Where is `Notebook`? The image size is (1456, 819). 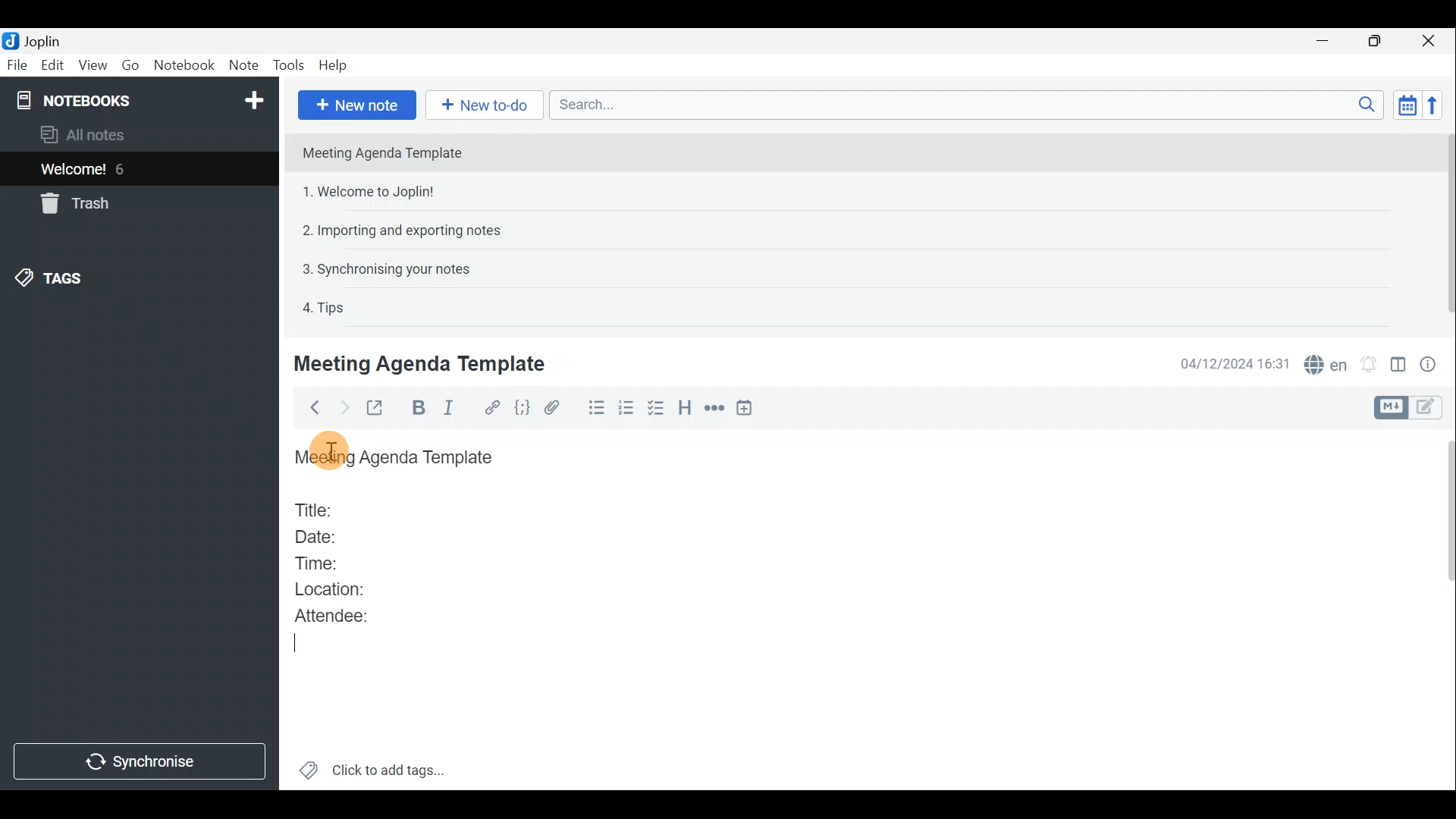 Notebook is located at coordinates (184, 64).